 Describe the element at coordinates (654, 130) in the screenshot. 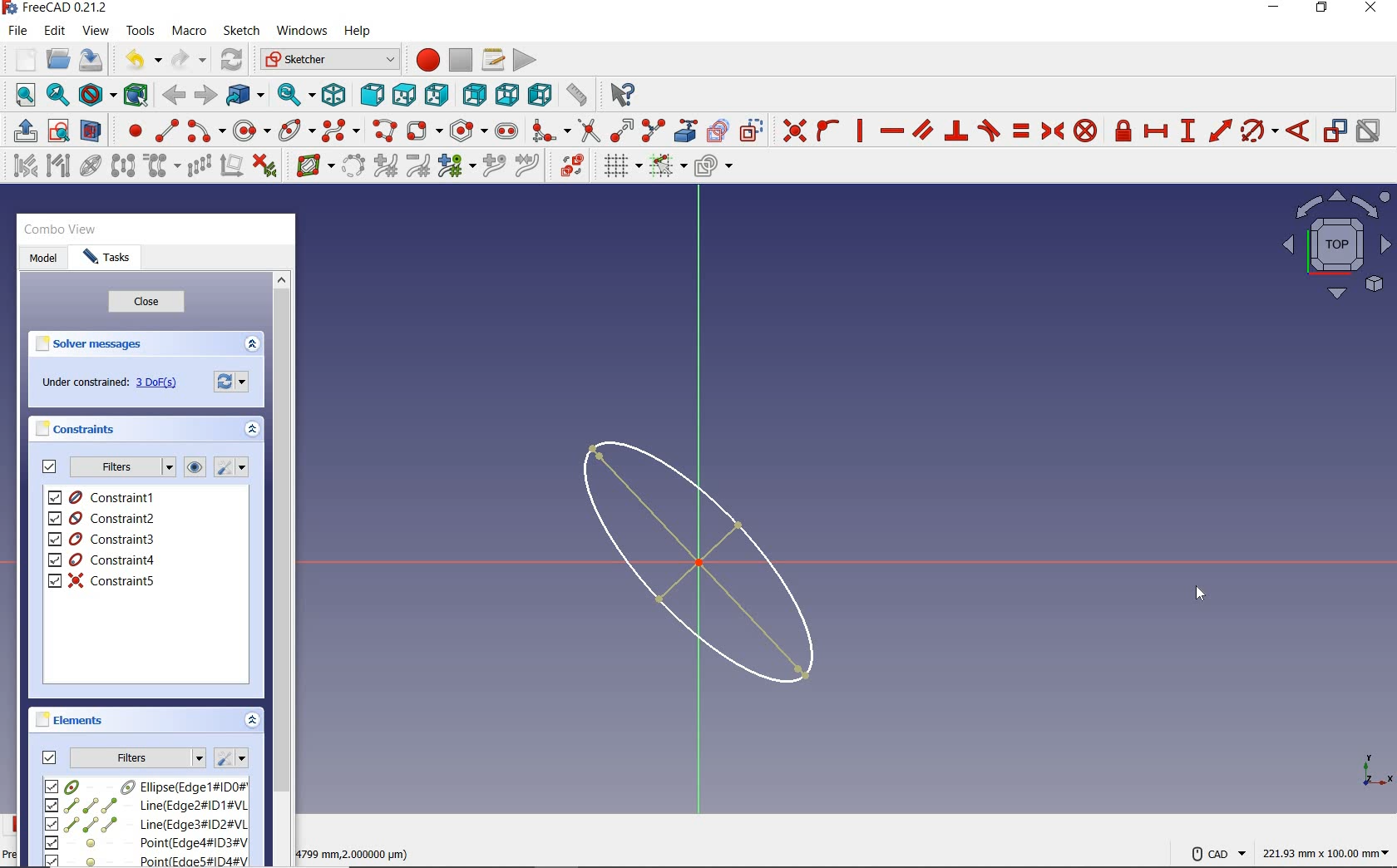

I see `split edge` at that location.